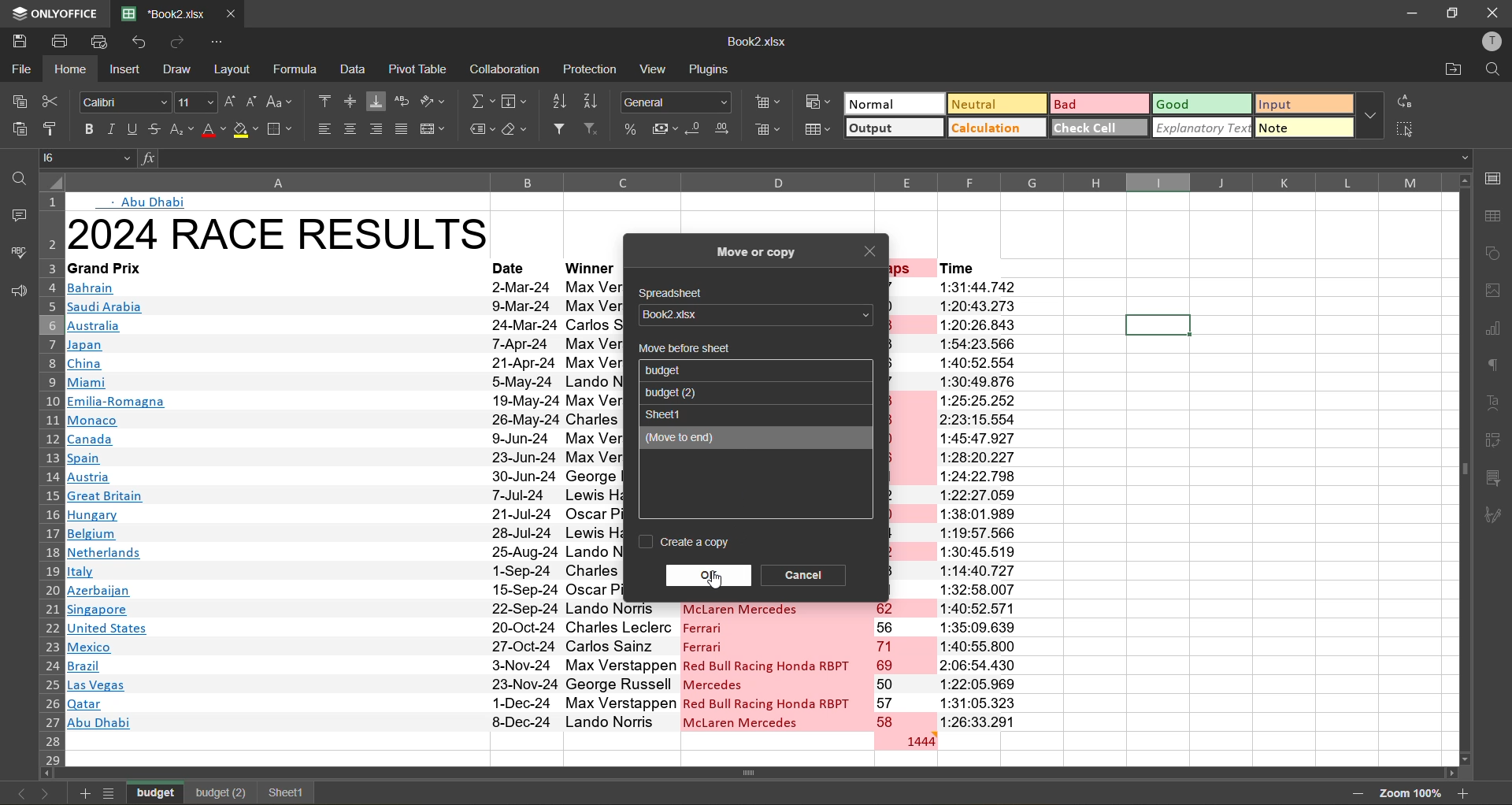 The width and height of the screenshot is (1512, 805). I want to click on format as table, so click(819, 129).